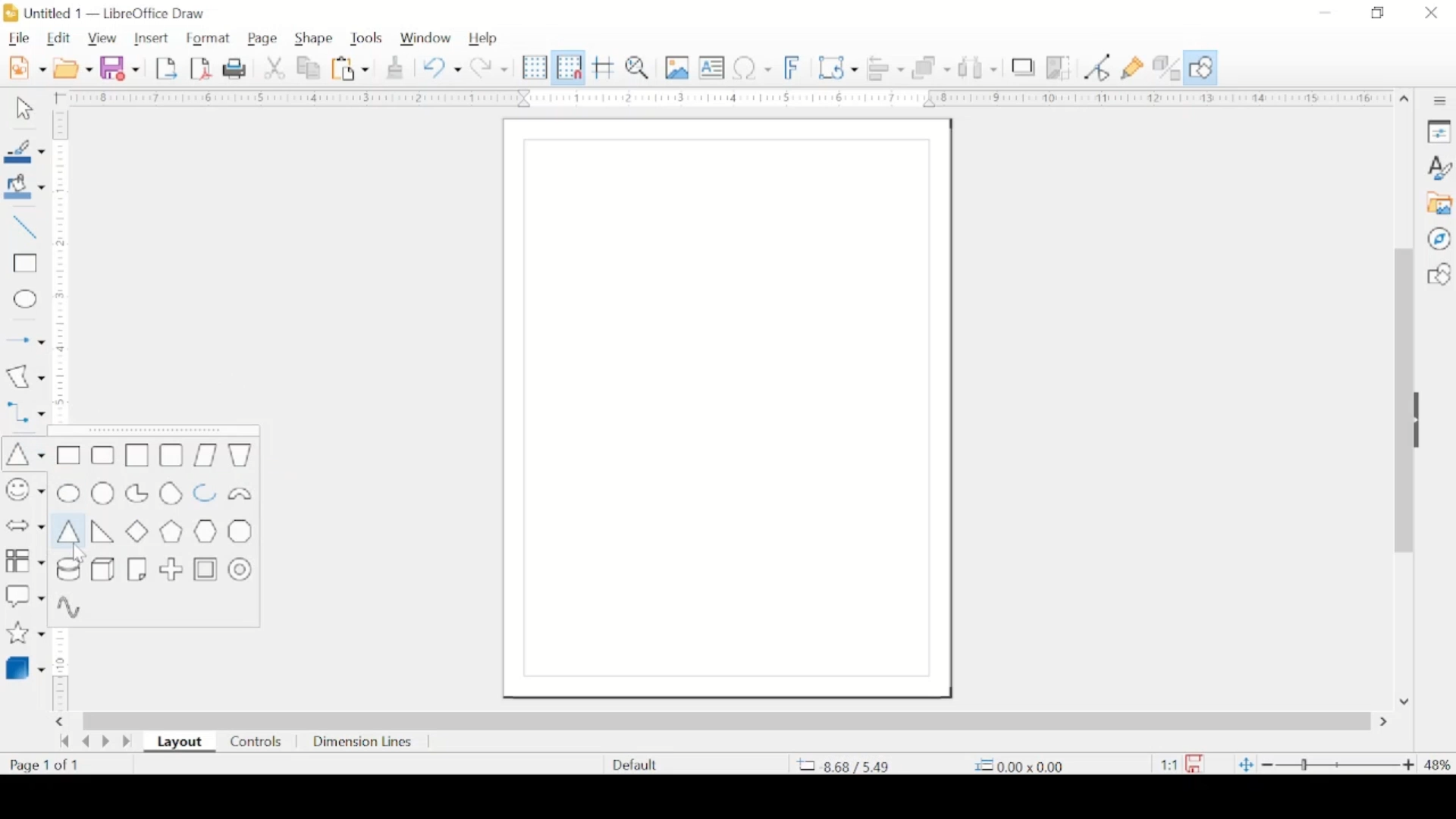  What do you see at coordinates (1062, 68) in the screenshot?
I see `crop image` at bounding box center [1062, 68].